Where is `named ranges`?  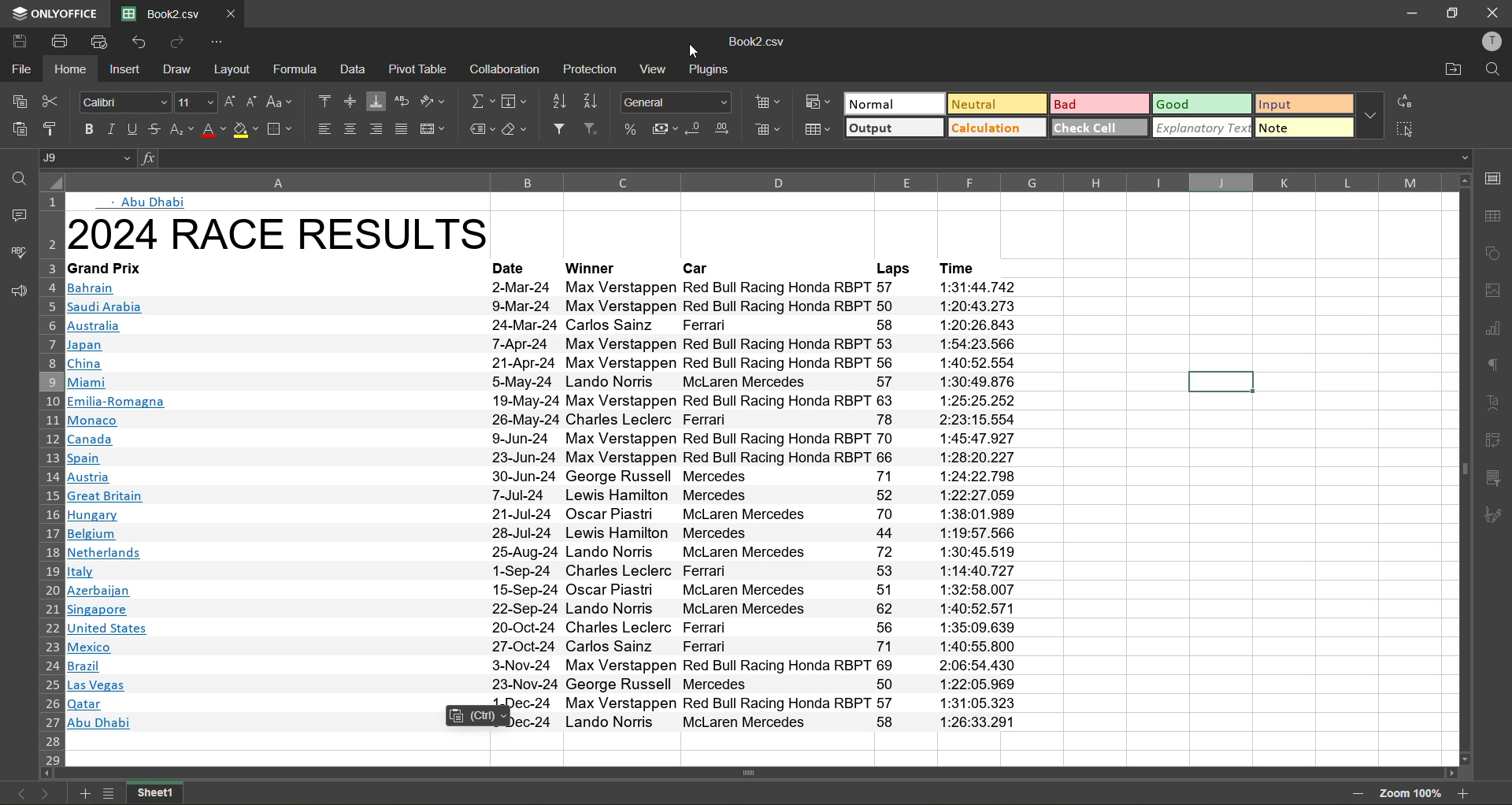
named ranges is located at coordinates (480, 127).